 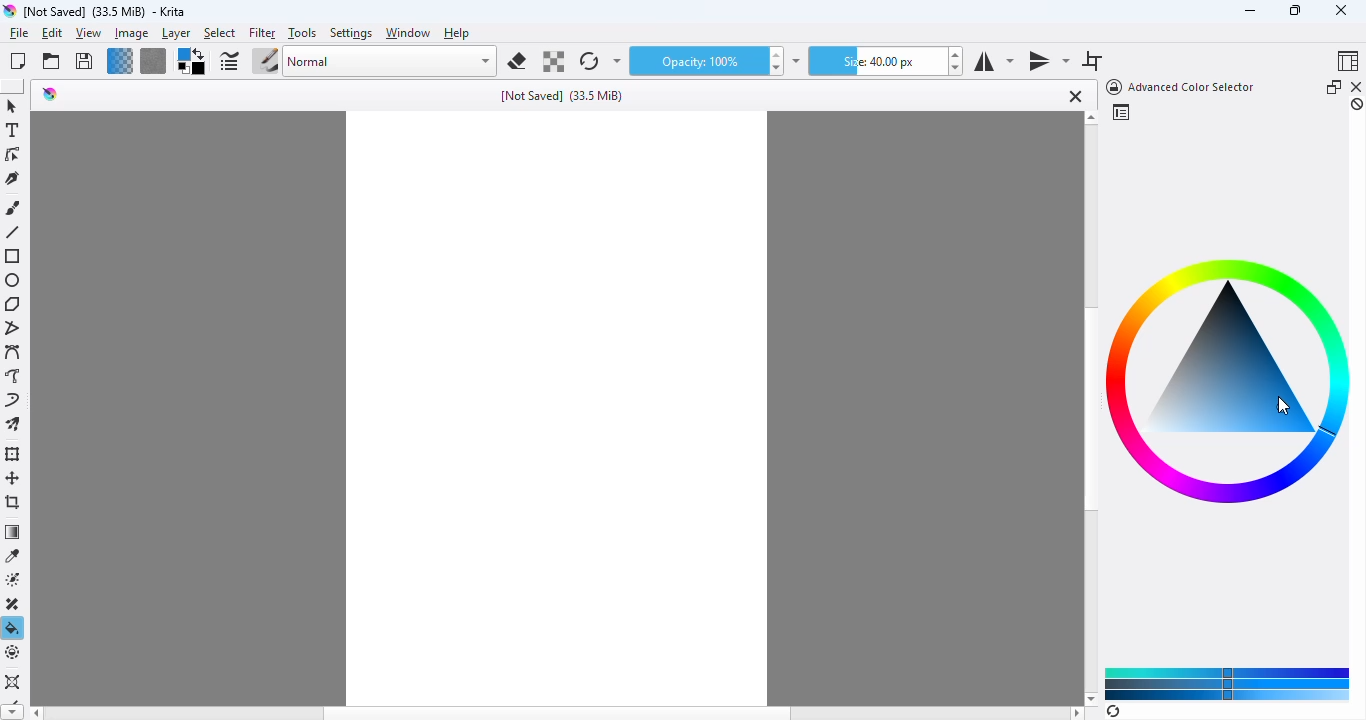 I want to click on edit shapes tool, so click(x=13, y=154).